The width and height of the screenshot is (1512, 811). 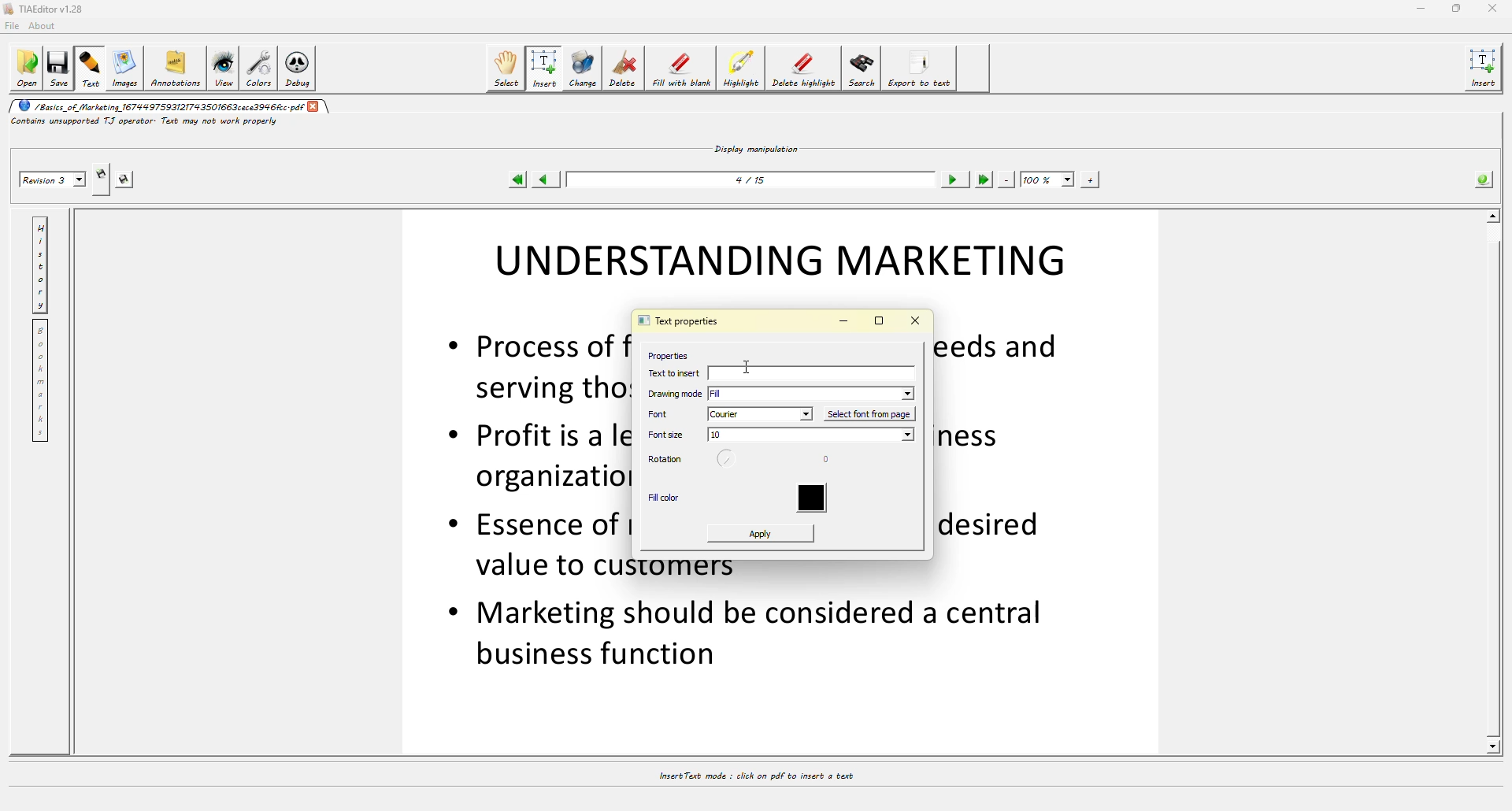 I want to click on size, so click(x=810, y=436).